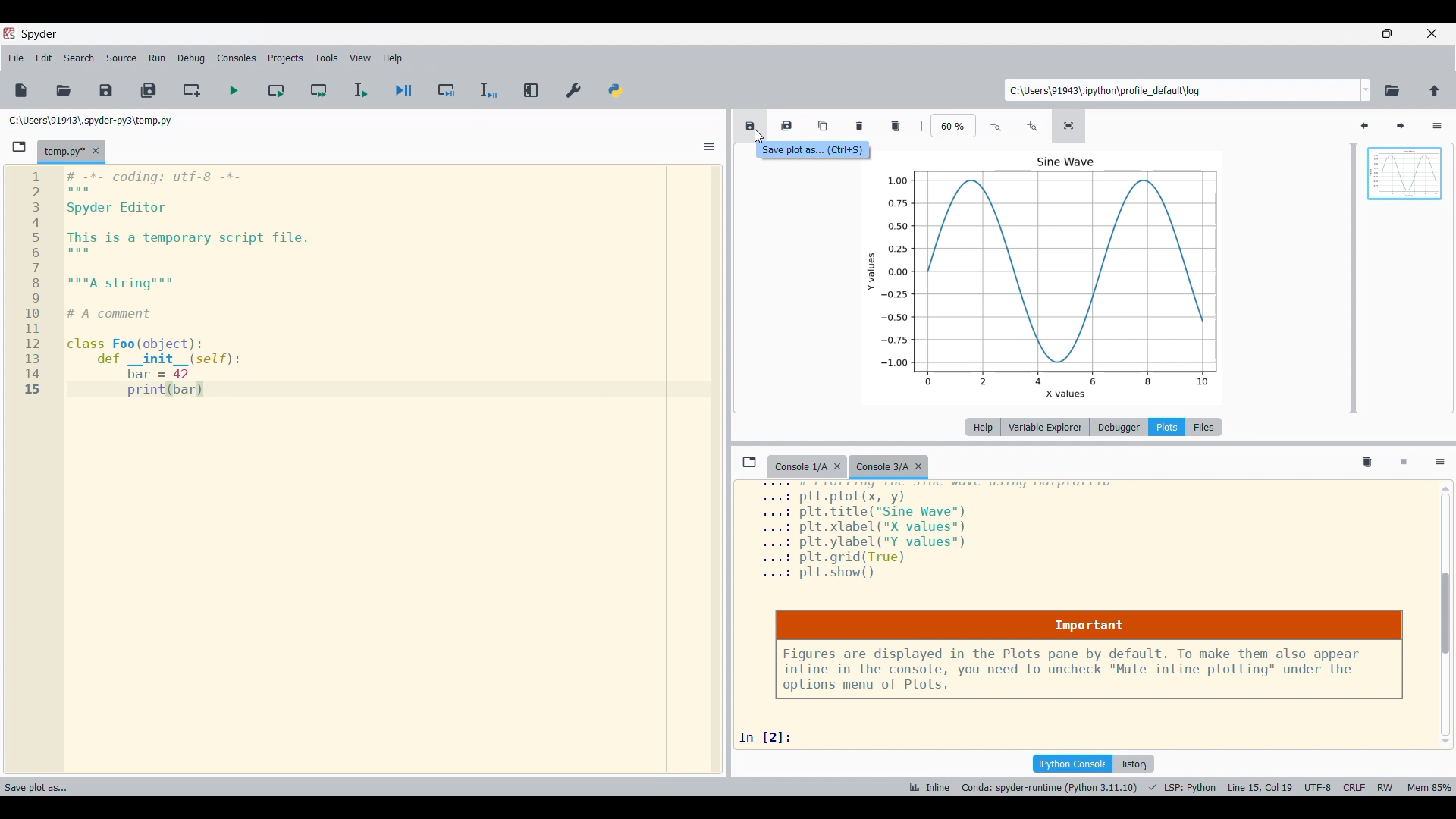  Describe the element at coordinates (983, 427) in the screenshot. I see `Help` at that location.